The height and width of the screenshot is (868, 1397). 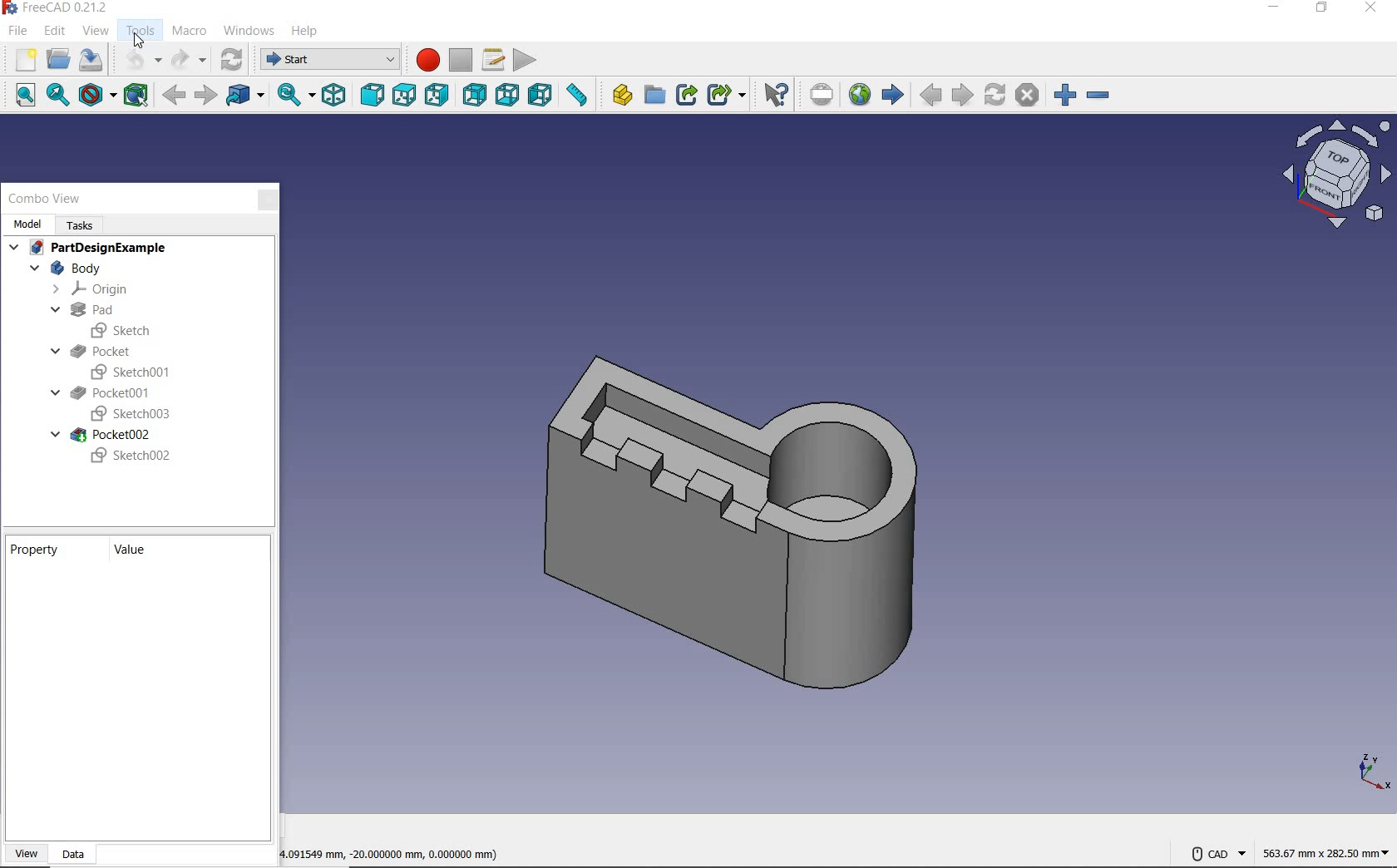 I want to click on Windows, so click(x=250, y=32).